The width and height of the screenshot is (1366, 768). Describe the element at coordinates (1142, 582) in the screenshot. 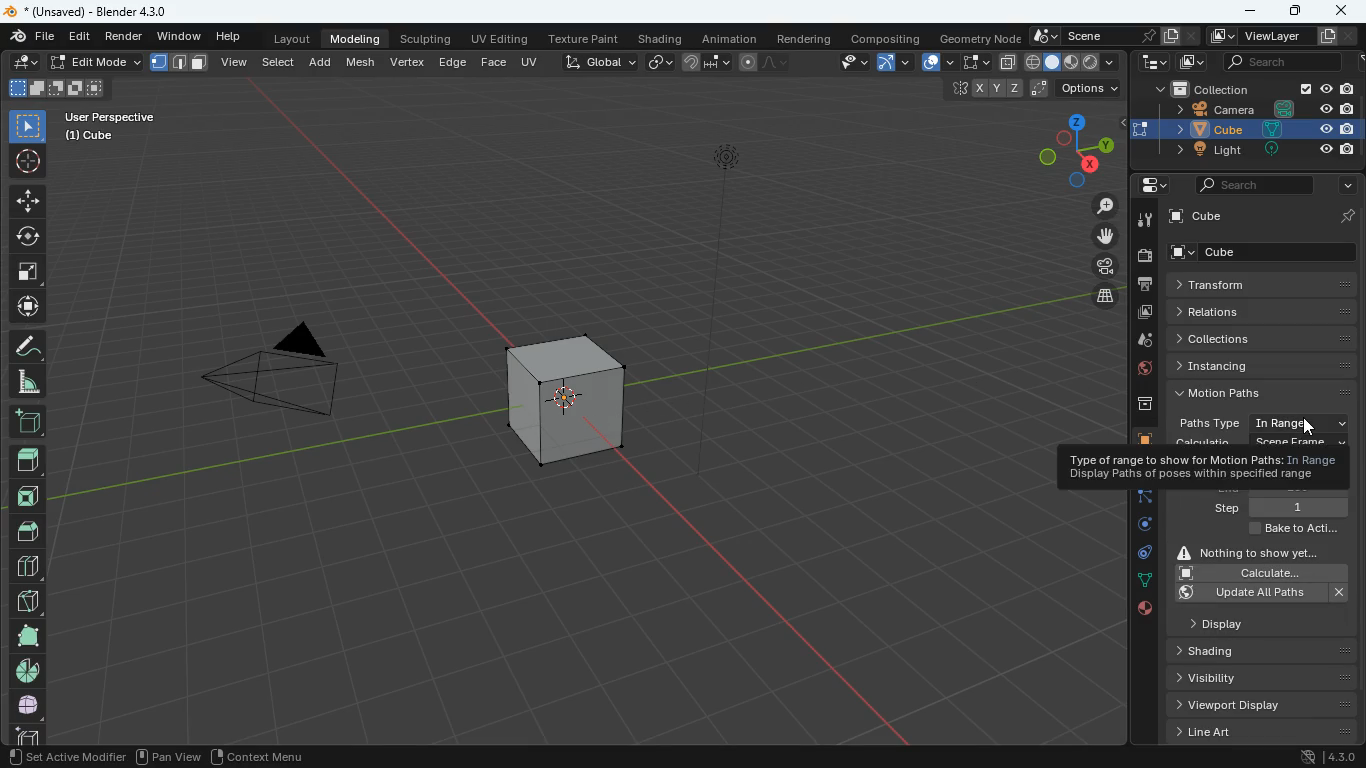

I see `dots` at that location.